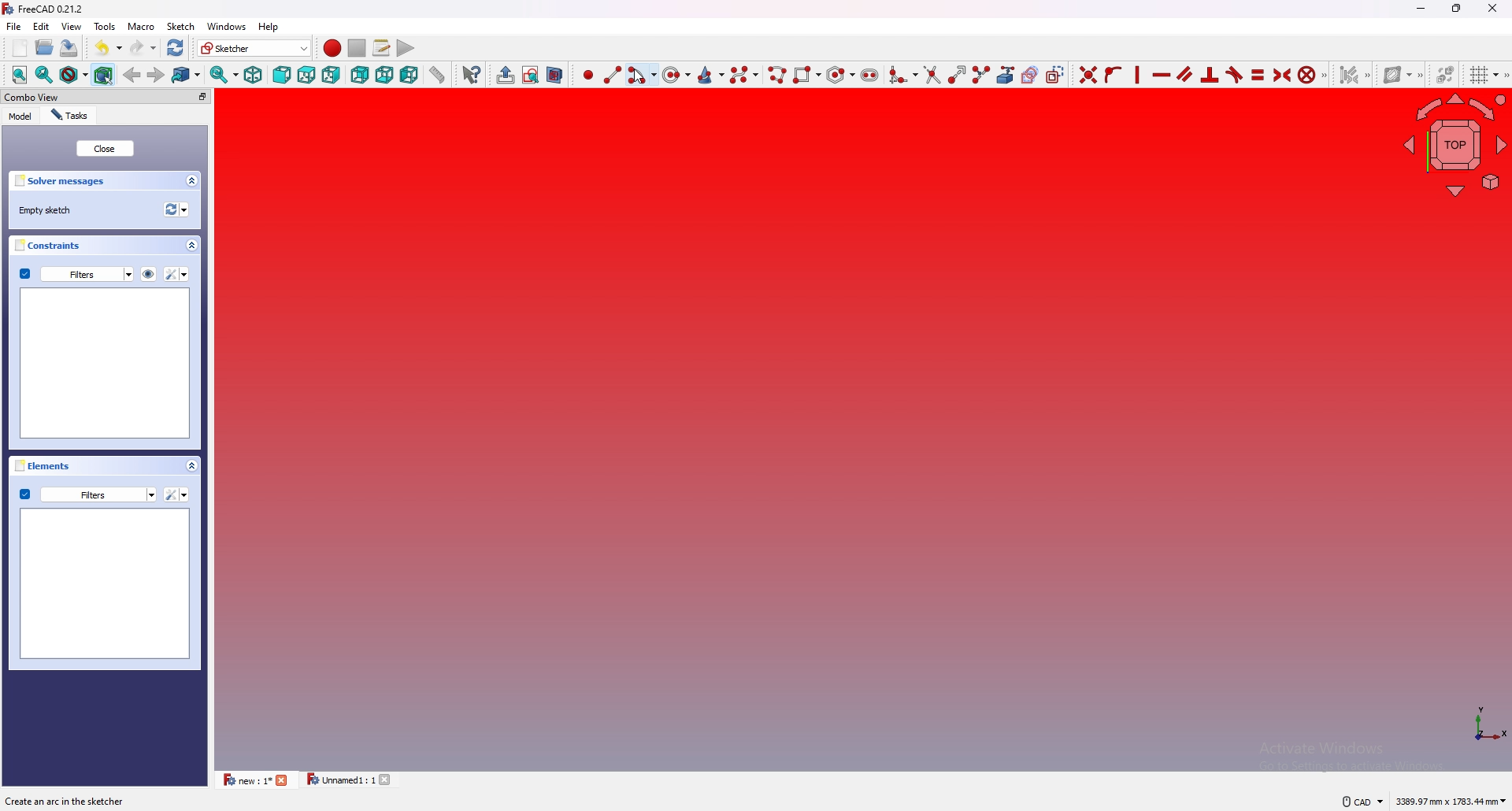 The width and height of the screenshot is (1512, 811). I want to click on windows, so click(225, 26).